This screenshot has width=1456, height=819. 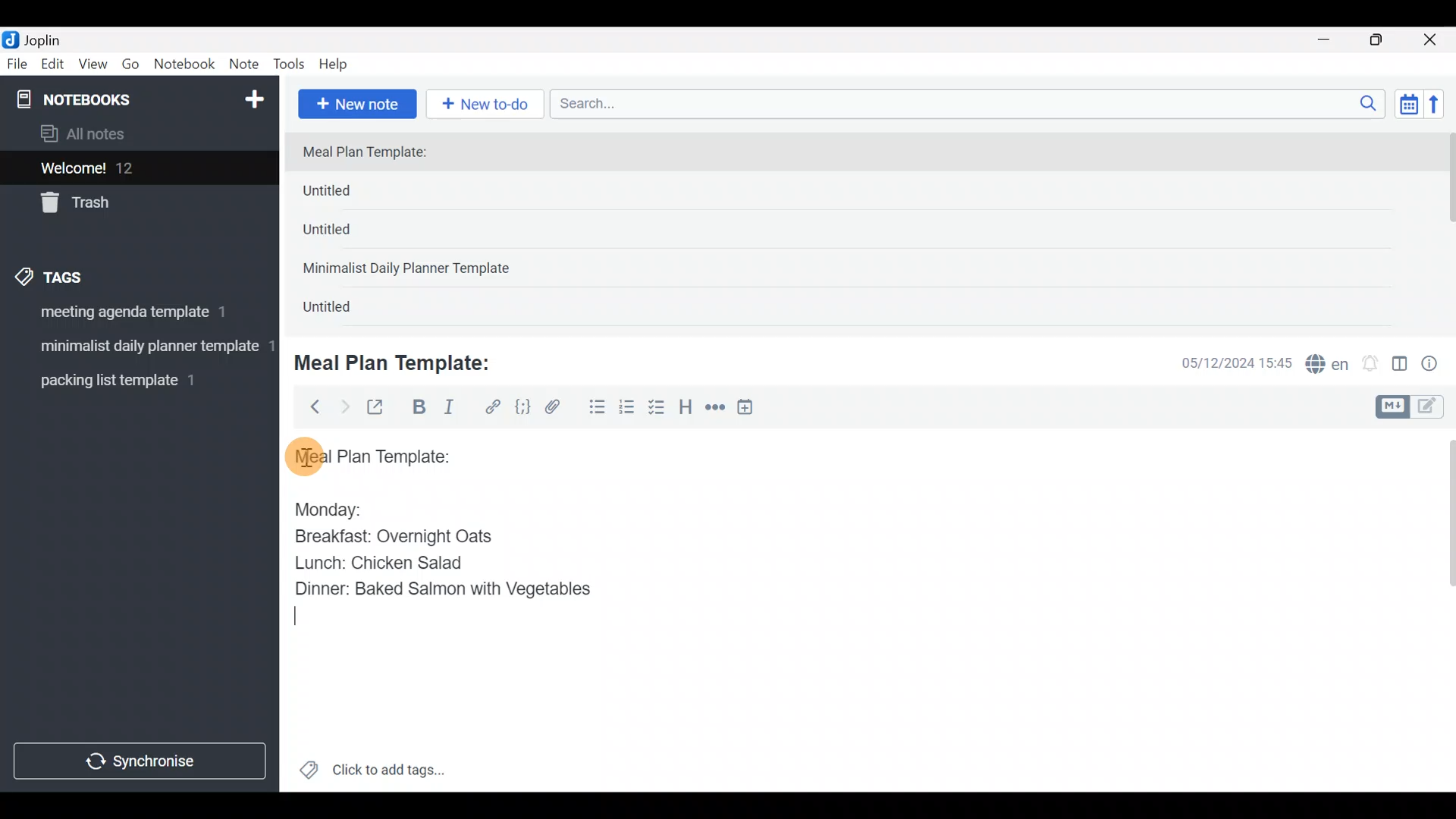 I want to click on Minimize, so click(x=1332, y=38).